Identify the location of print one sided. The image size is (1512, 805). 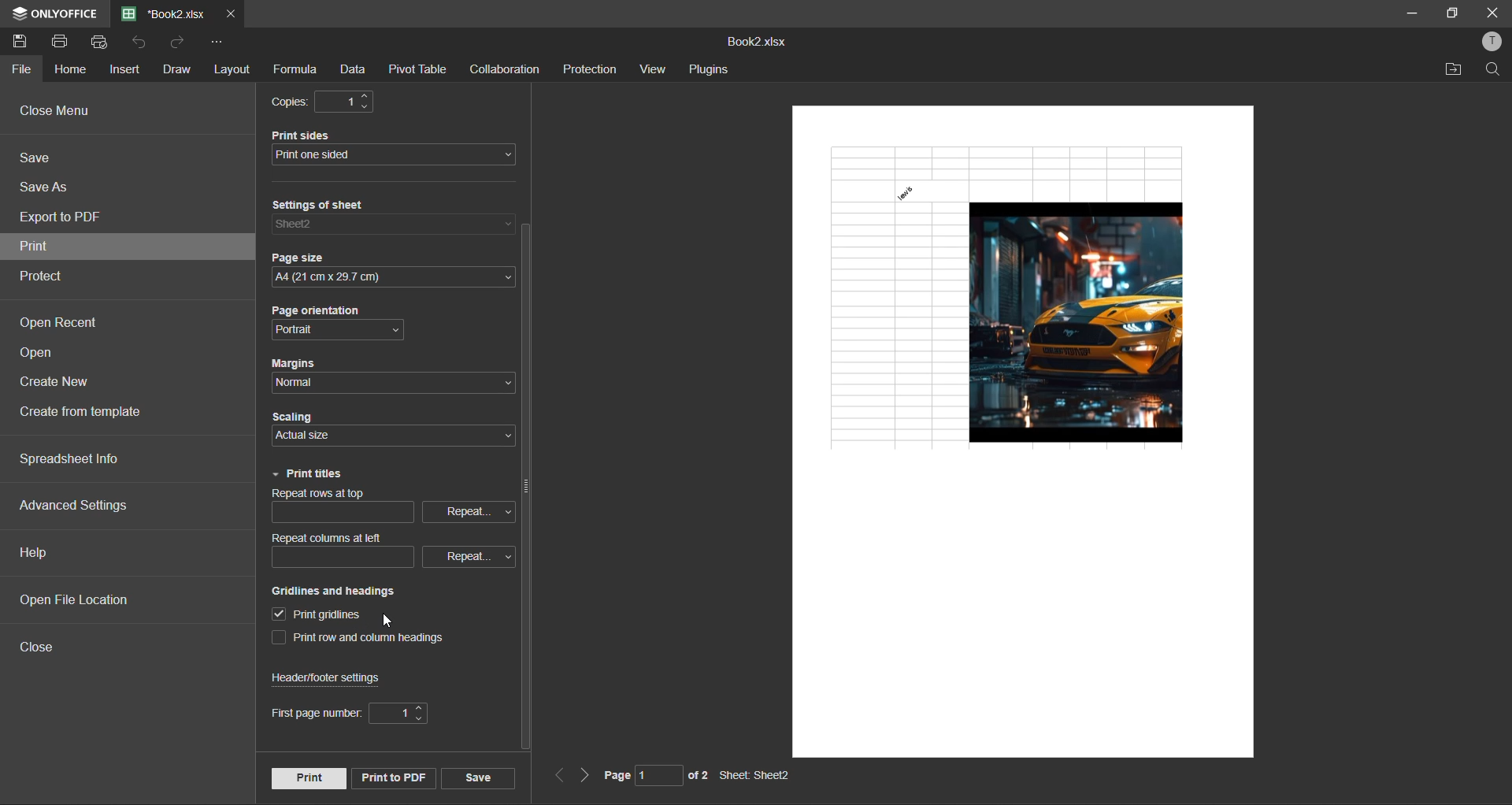
(353, 157).